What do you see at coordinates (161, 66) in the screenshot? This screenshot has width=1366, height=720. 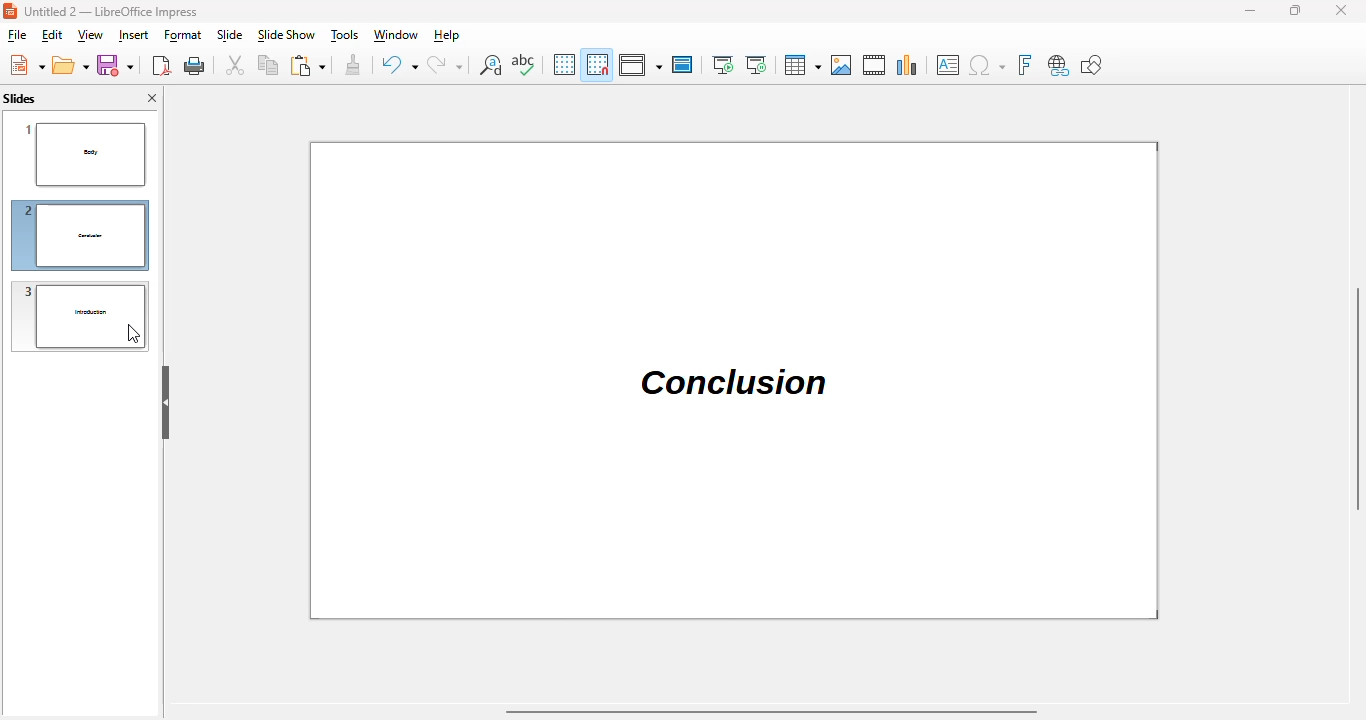 I see `export directly as PDF` at bounding box center [161, 66].